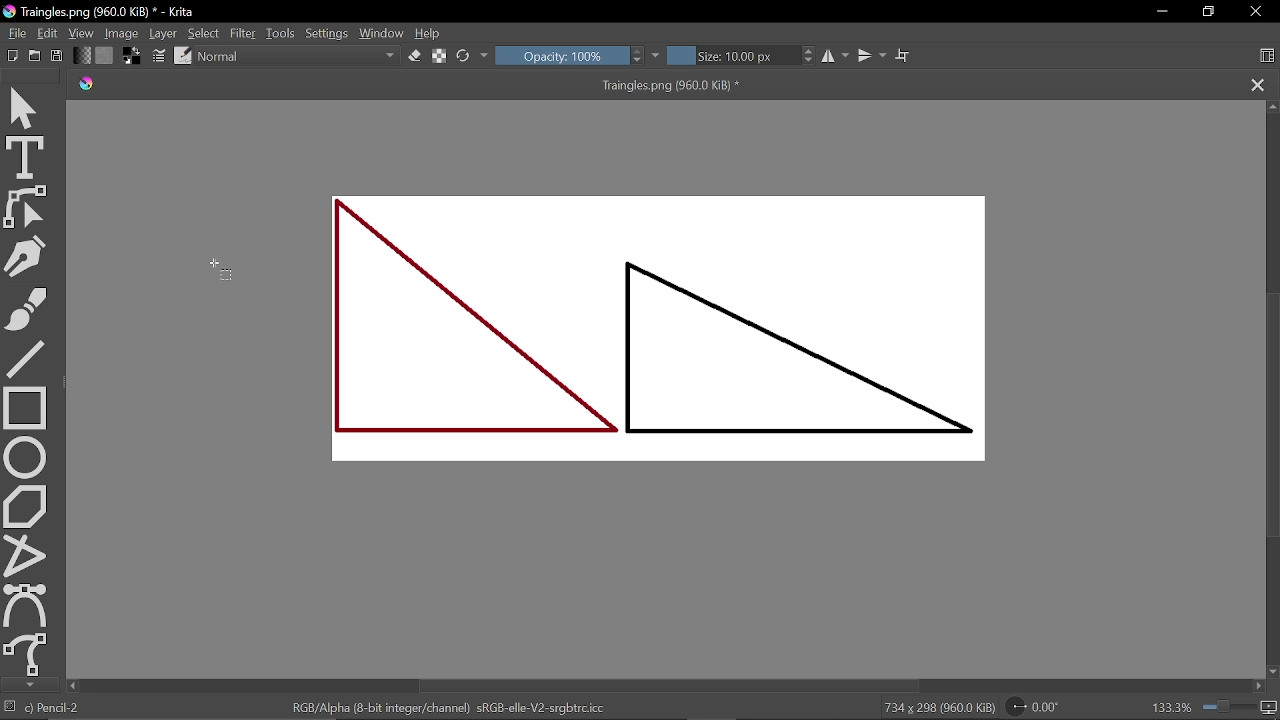 The width and height of the screenshot is (1280, 720). I want to click on Close, so click(1255, 12).